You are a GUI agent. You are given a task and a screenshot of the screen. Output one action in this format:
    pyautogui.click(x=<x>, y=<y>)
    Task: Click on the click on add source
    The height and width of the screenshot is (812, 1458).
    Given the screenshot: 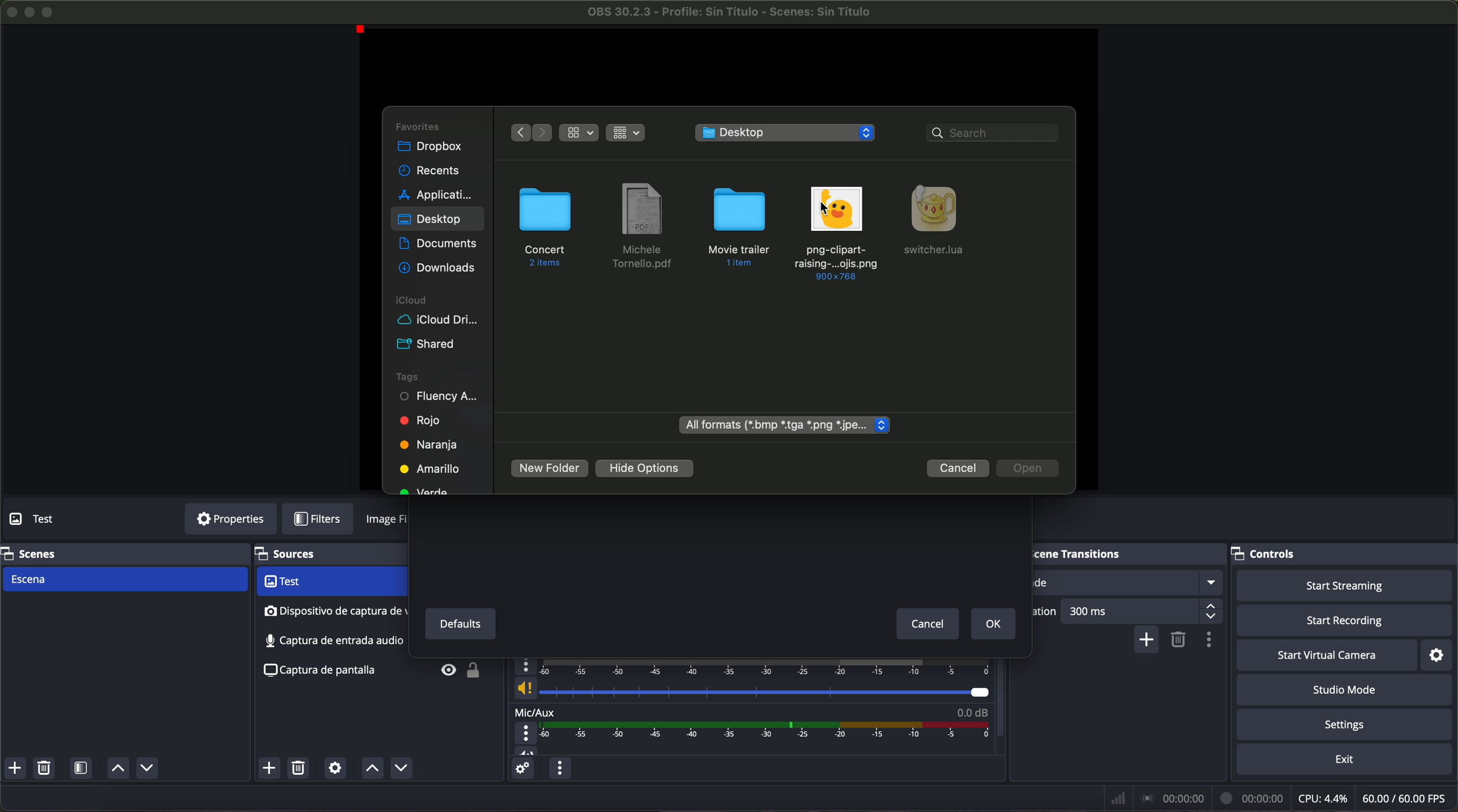 What is the action you would take?
    pyautogui.click(x=272, y=769)
    